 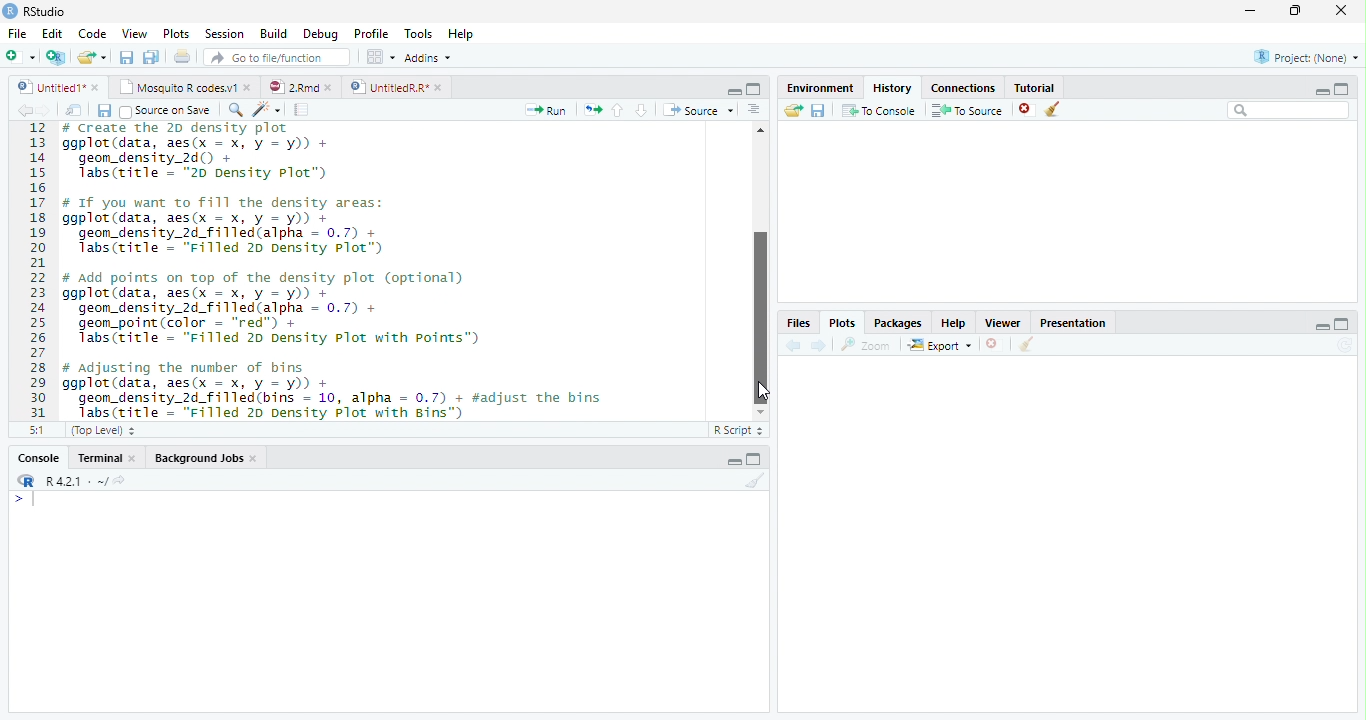 What do you see at coordinates (754, 111) in the screenshot?
I see `Document outline` at bounding box center [754, 111].